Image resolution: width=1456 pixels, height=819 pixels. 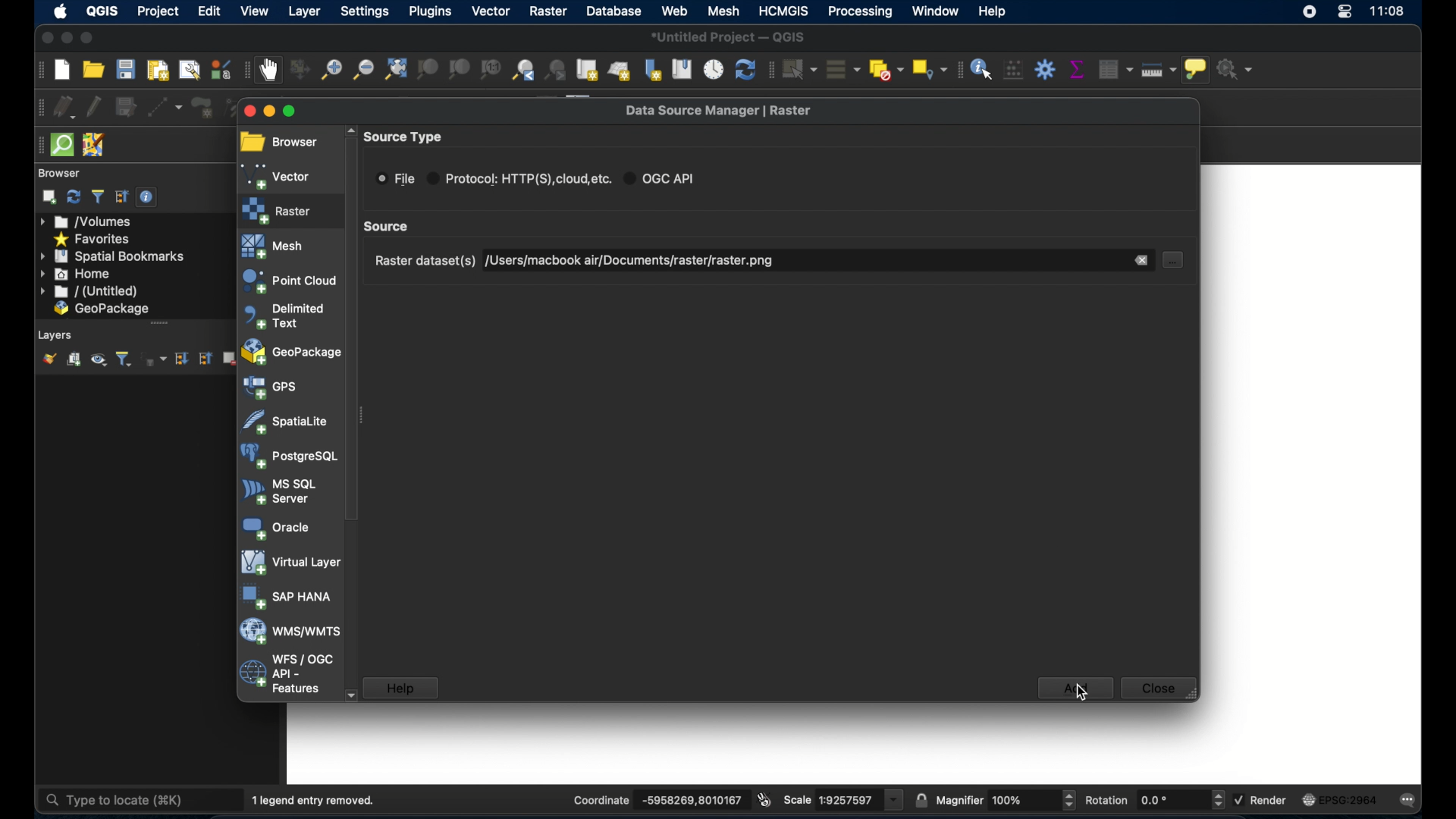 I want to click on identify features, so click(x=982, y=68).